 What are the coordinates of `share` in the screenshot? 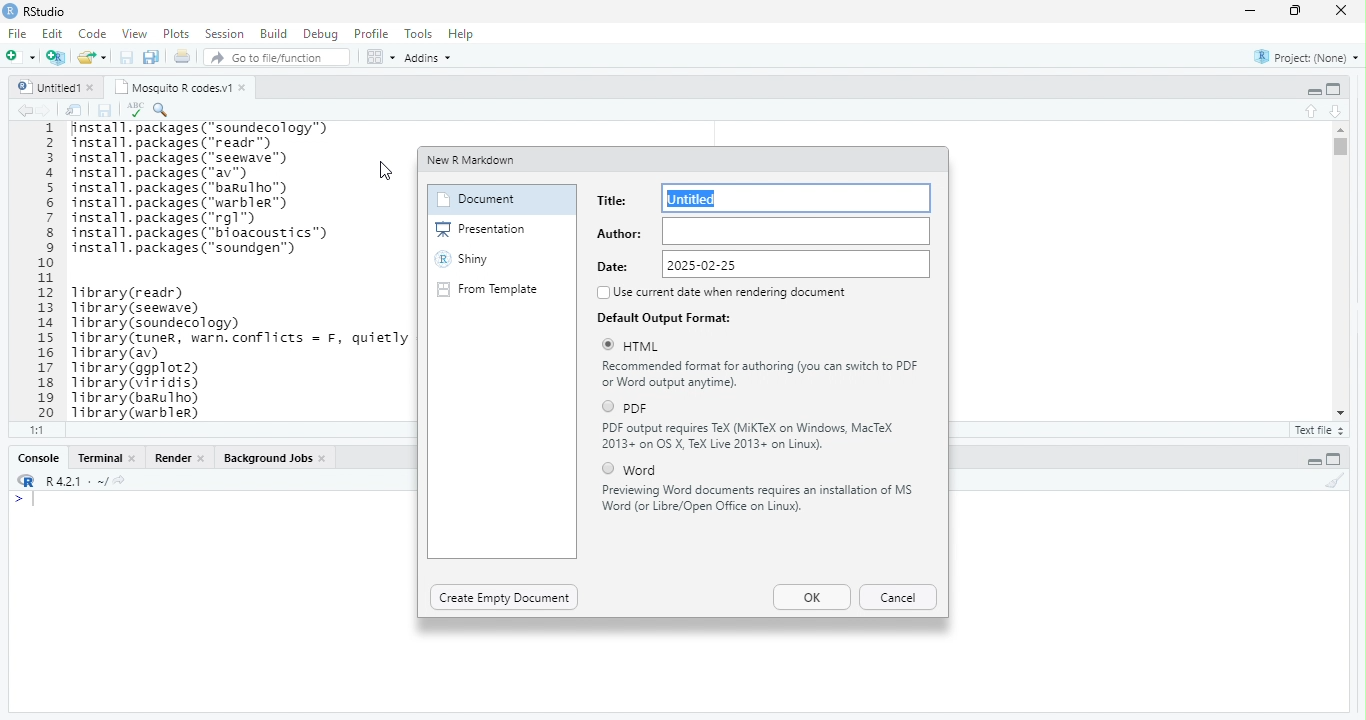 It's located at (93, 57).